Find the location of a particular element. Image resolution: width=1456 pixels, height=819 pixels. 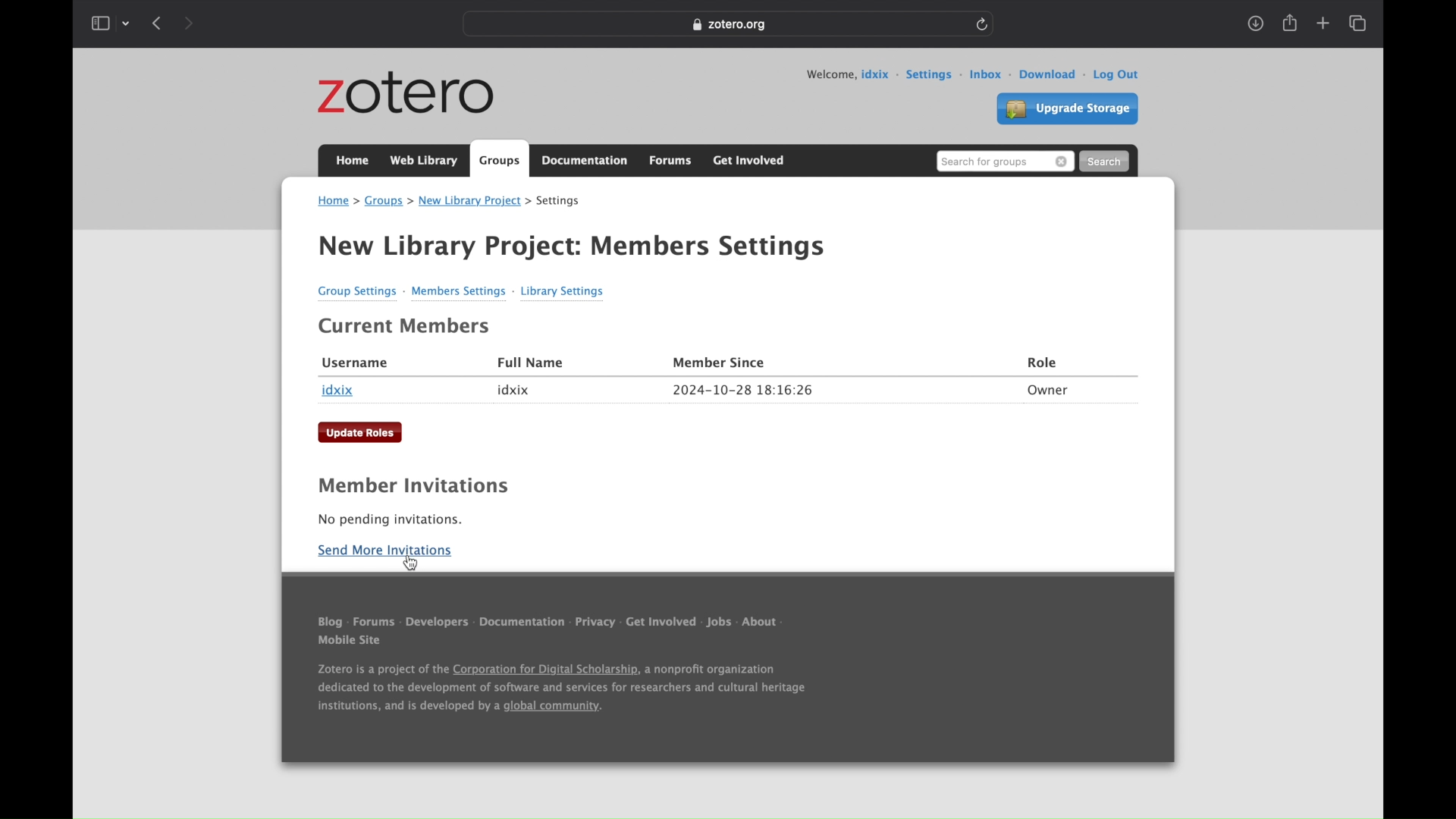

role is located at coordinates (1043, 362).